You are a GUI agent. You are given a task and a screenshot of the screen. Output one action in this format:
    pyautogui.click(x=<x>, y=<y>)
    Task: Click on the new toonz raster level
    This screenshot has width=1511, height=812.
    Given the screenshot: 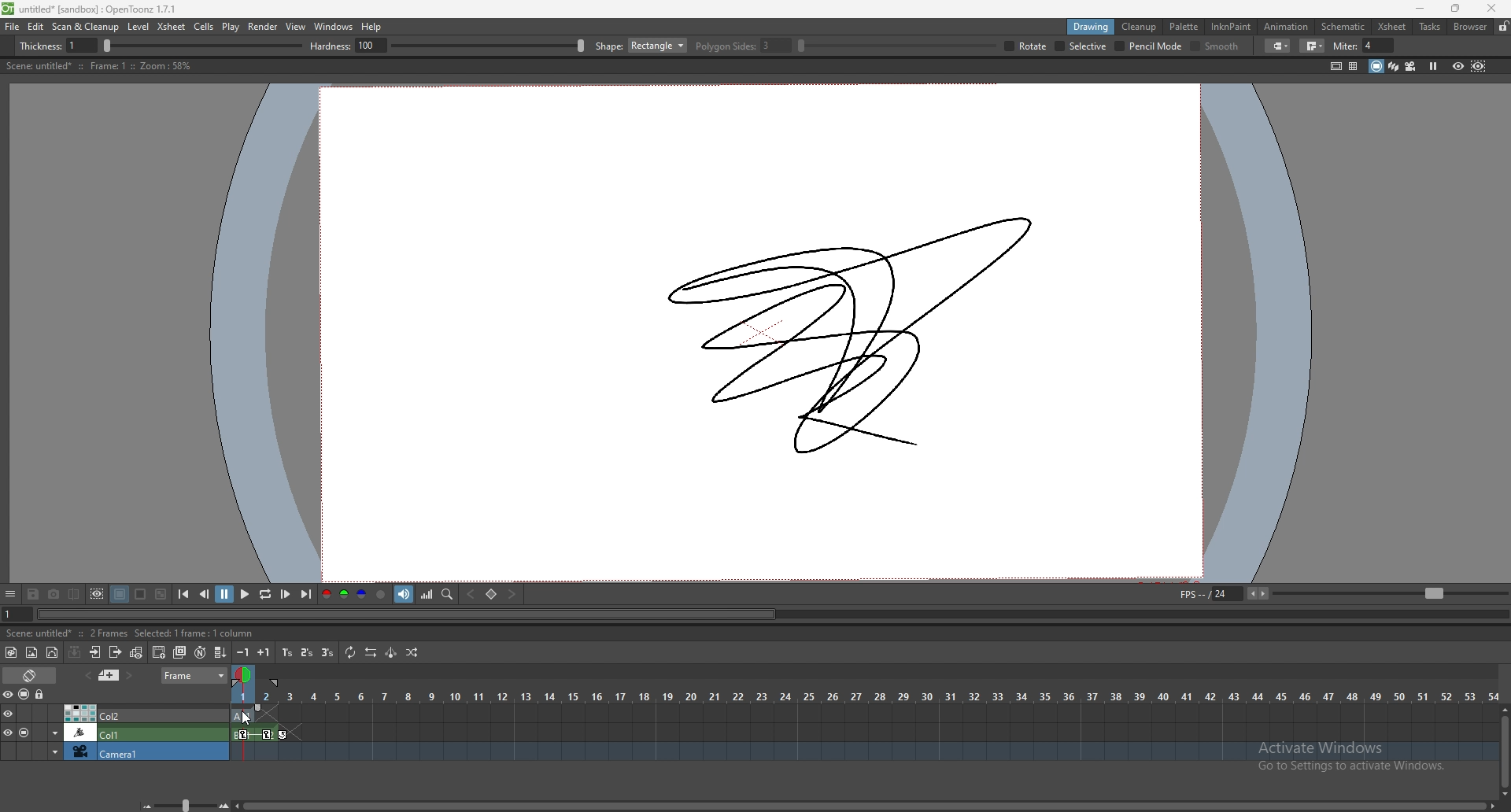 What is the action you would take?
    pyautogui.click(x=12, y=652)
    